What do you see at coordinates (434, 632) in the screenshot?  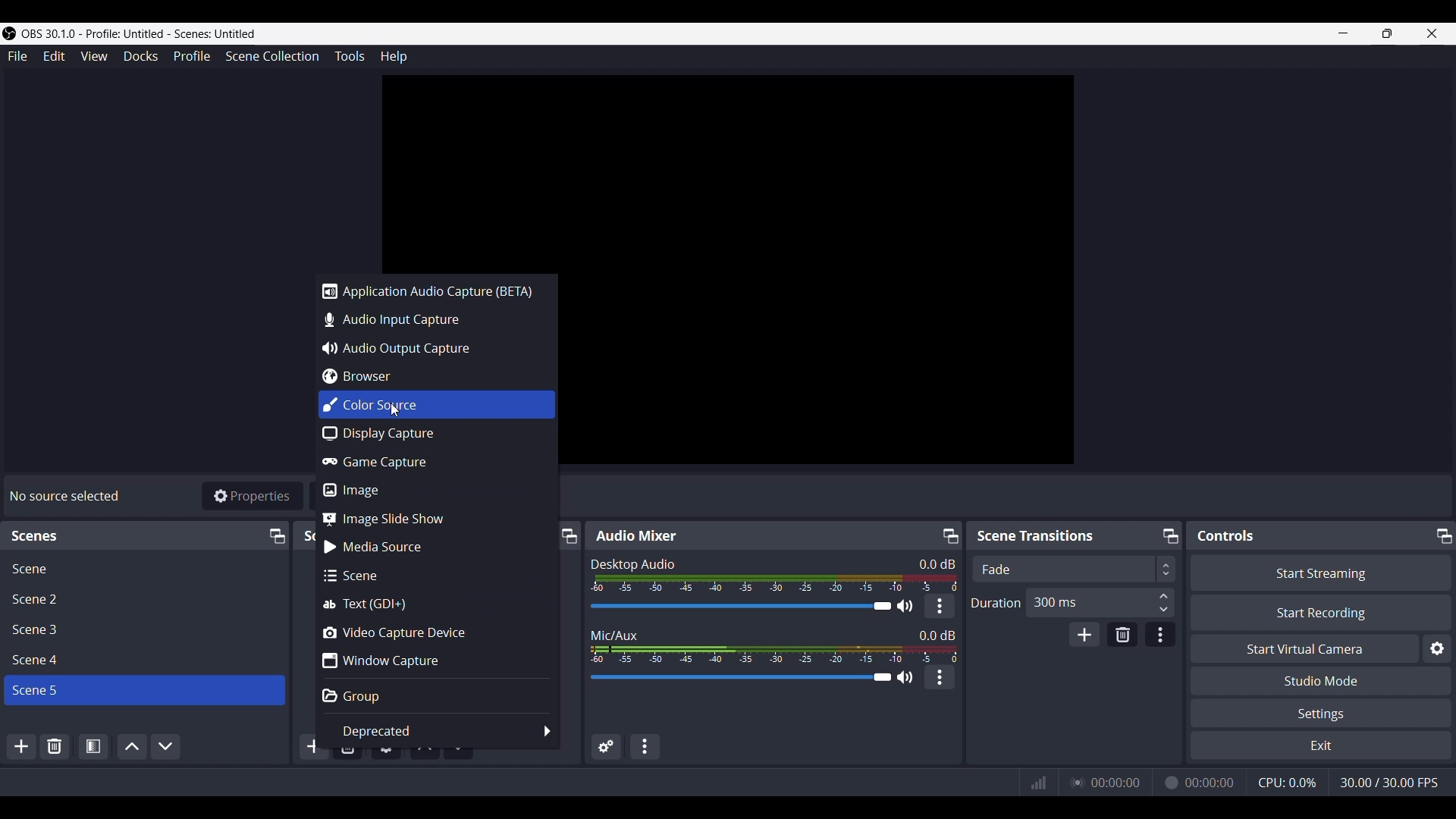 I see `Video capture device` at bounding box center [434, 632].